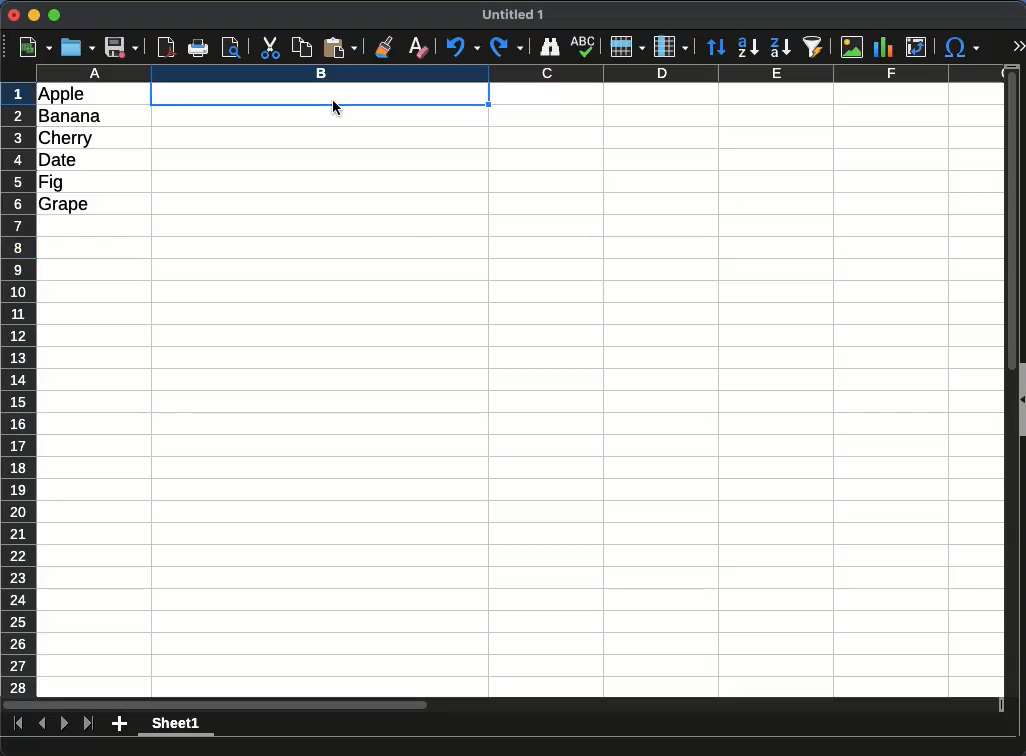  I want to click on chart, so click(884, 47).